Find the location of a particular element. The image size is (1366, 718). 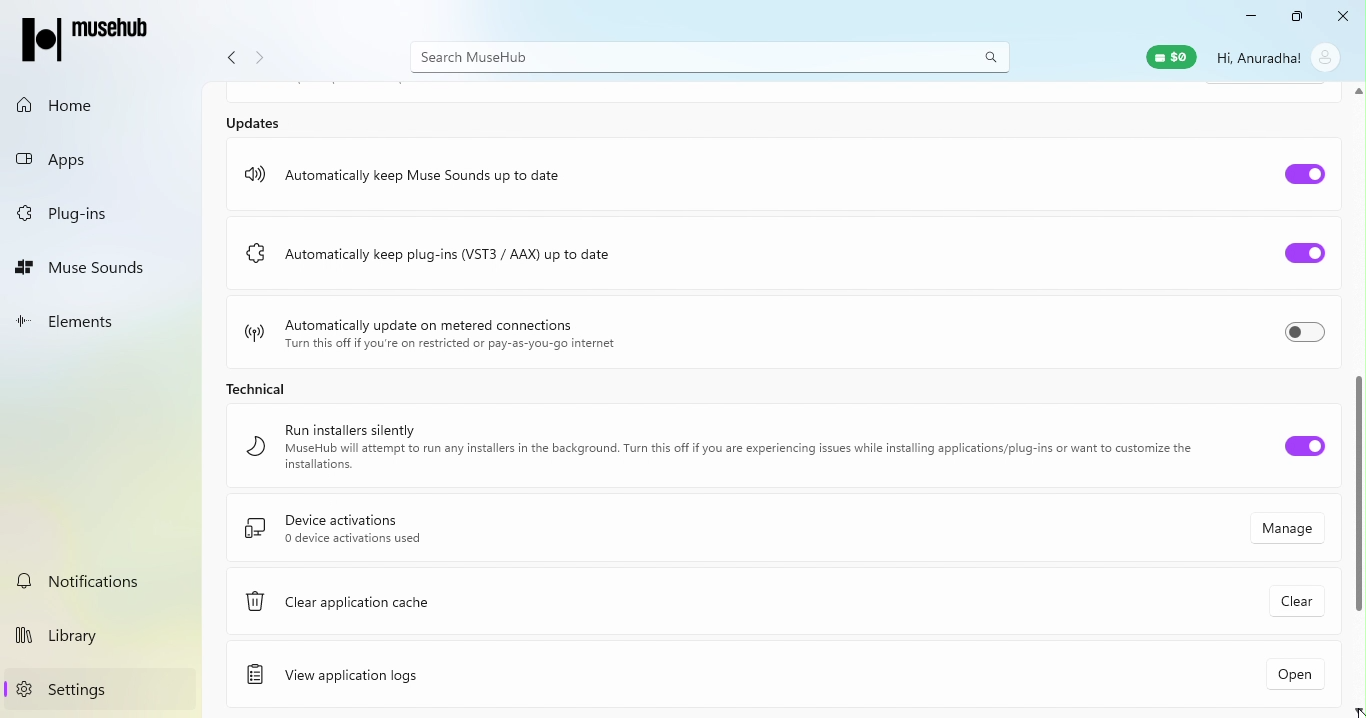

Automatically keep Muse sounds up to date is located at coordinates (406, 176).